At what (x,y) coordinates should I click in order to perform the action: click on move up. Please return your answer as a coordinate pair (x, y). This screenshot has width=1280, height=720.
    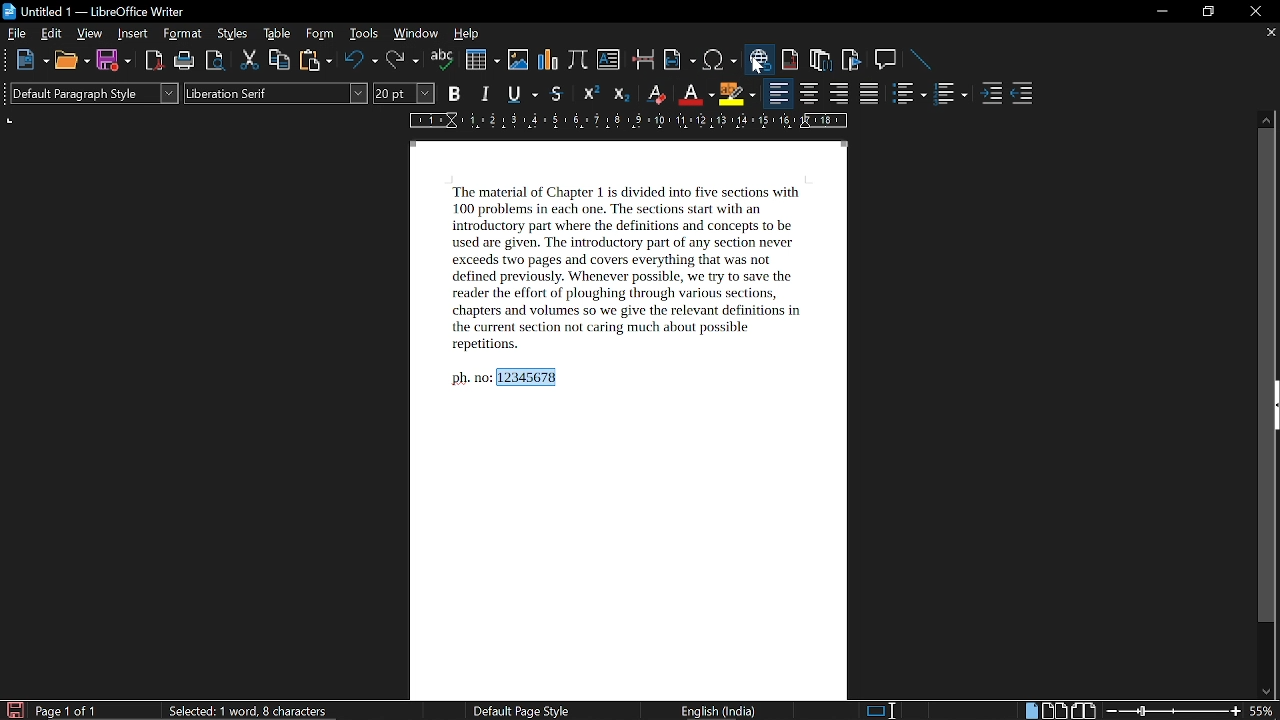
    Looking at the image, I should click on (1265, 119).